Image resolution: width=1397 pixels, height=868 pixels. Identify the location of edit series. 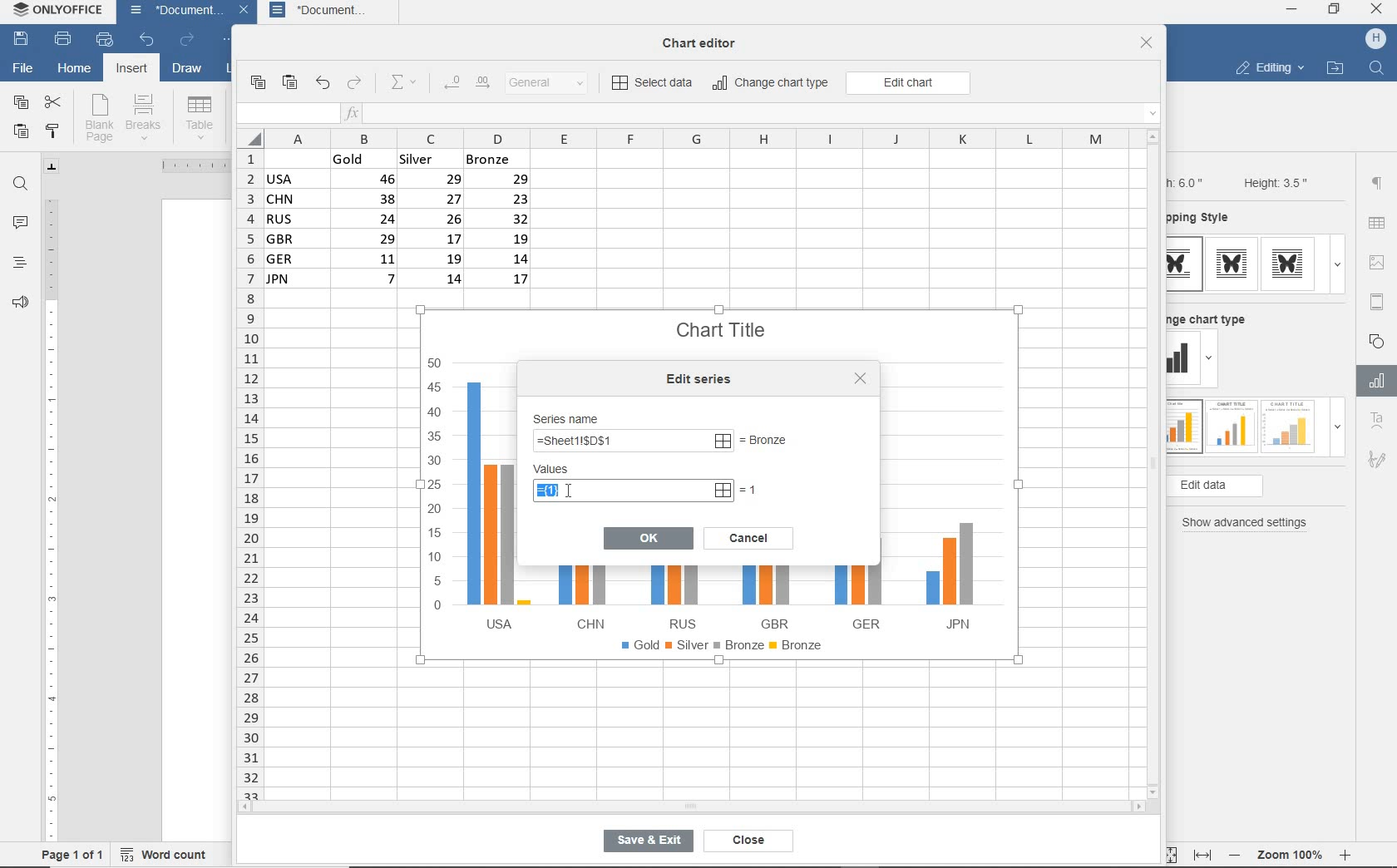
(703, 379).